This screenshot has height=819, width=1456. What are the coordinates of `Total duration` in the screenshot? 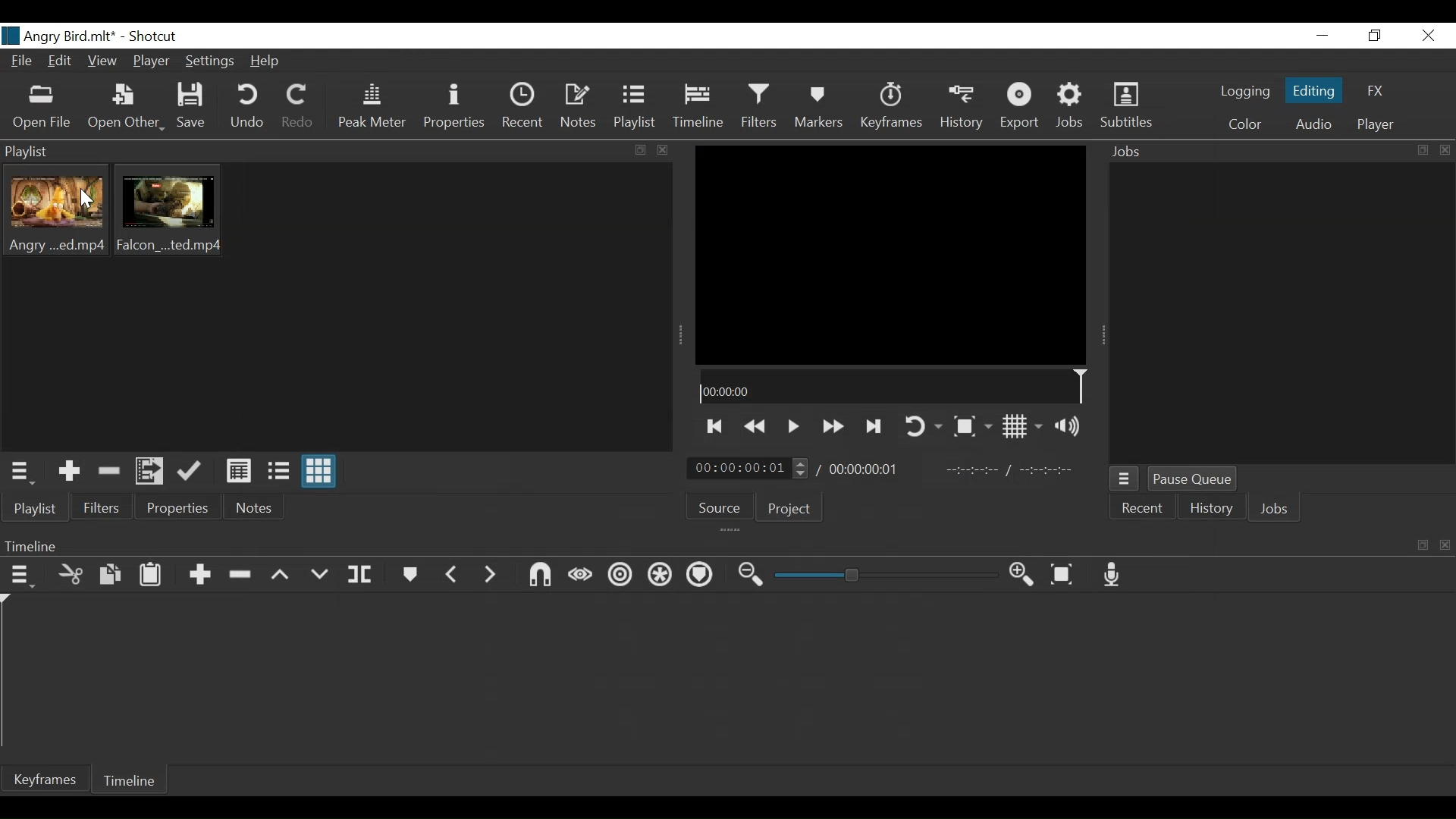 It's located at (865, 469).